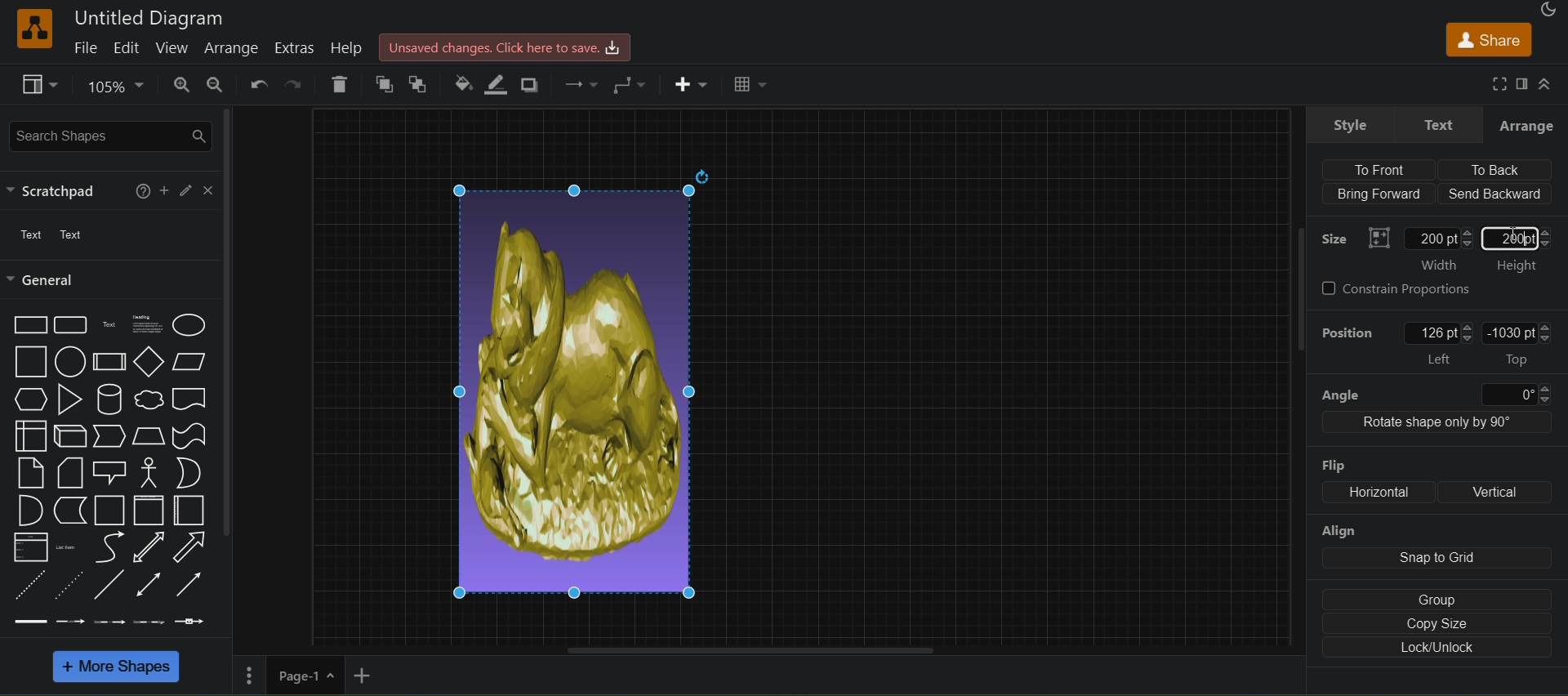 The height and width of the screenshot is (696, 1568). I want to click on delete, so click(340, 83).